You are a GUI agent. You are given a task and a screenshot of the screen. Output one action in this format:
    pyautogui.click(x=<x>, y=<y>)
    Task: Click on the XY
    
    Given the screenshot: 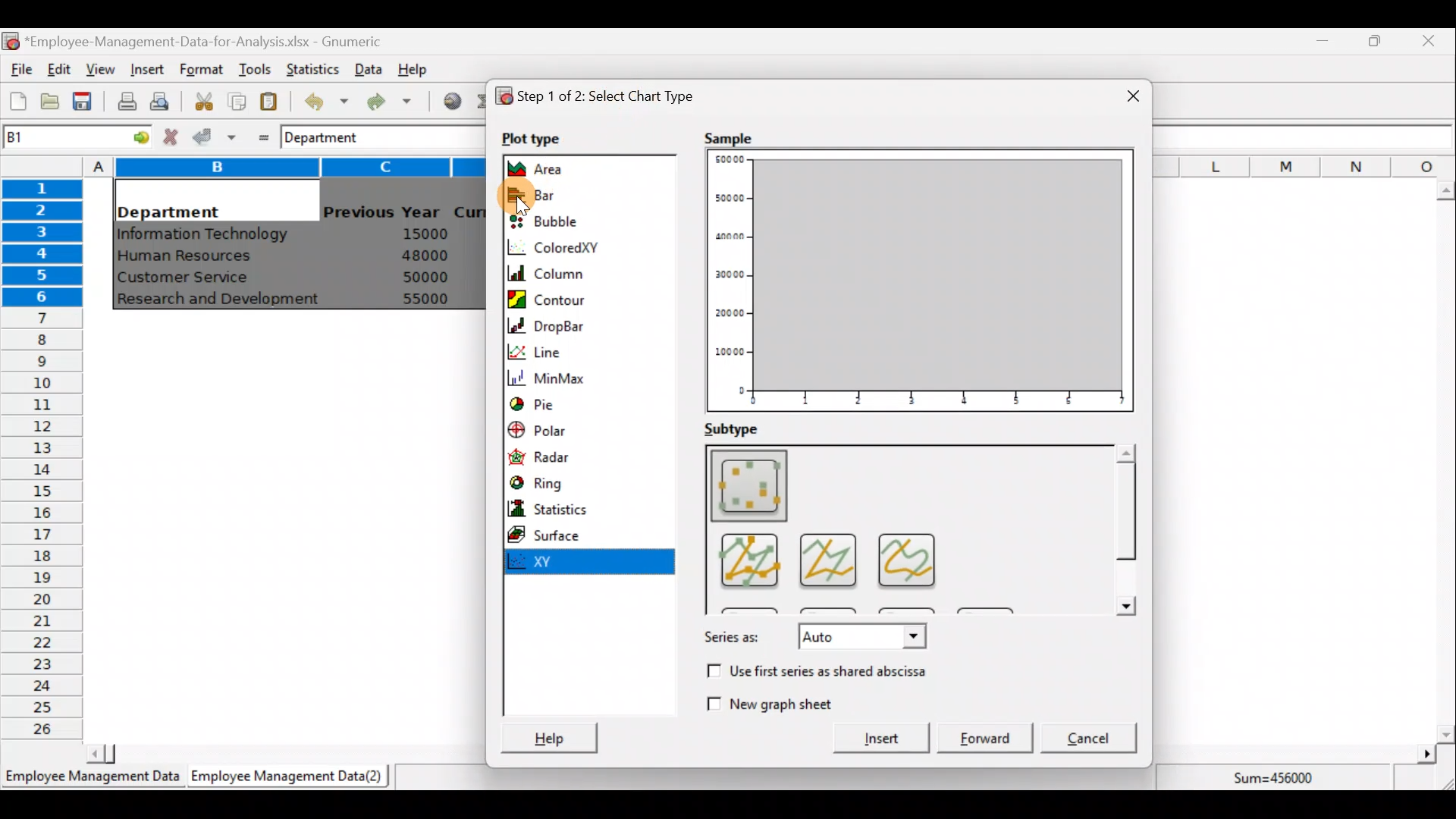 What is the action you would take?
    pyautogui.click(x=599, y=562)
    